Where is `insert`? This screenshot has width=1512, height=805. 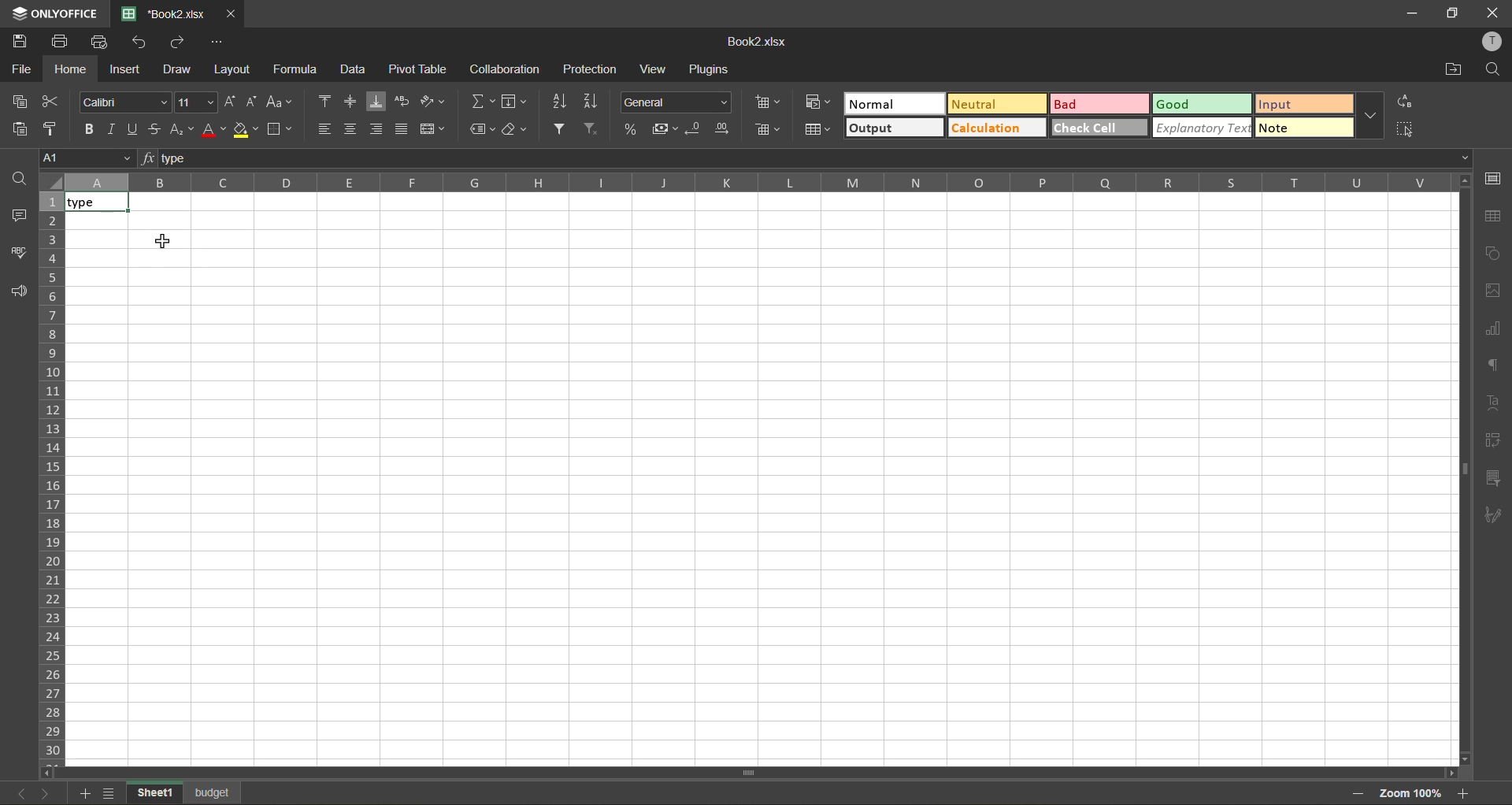
insert is located at coordinates (127, 72).